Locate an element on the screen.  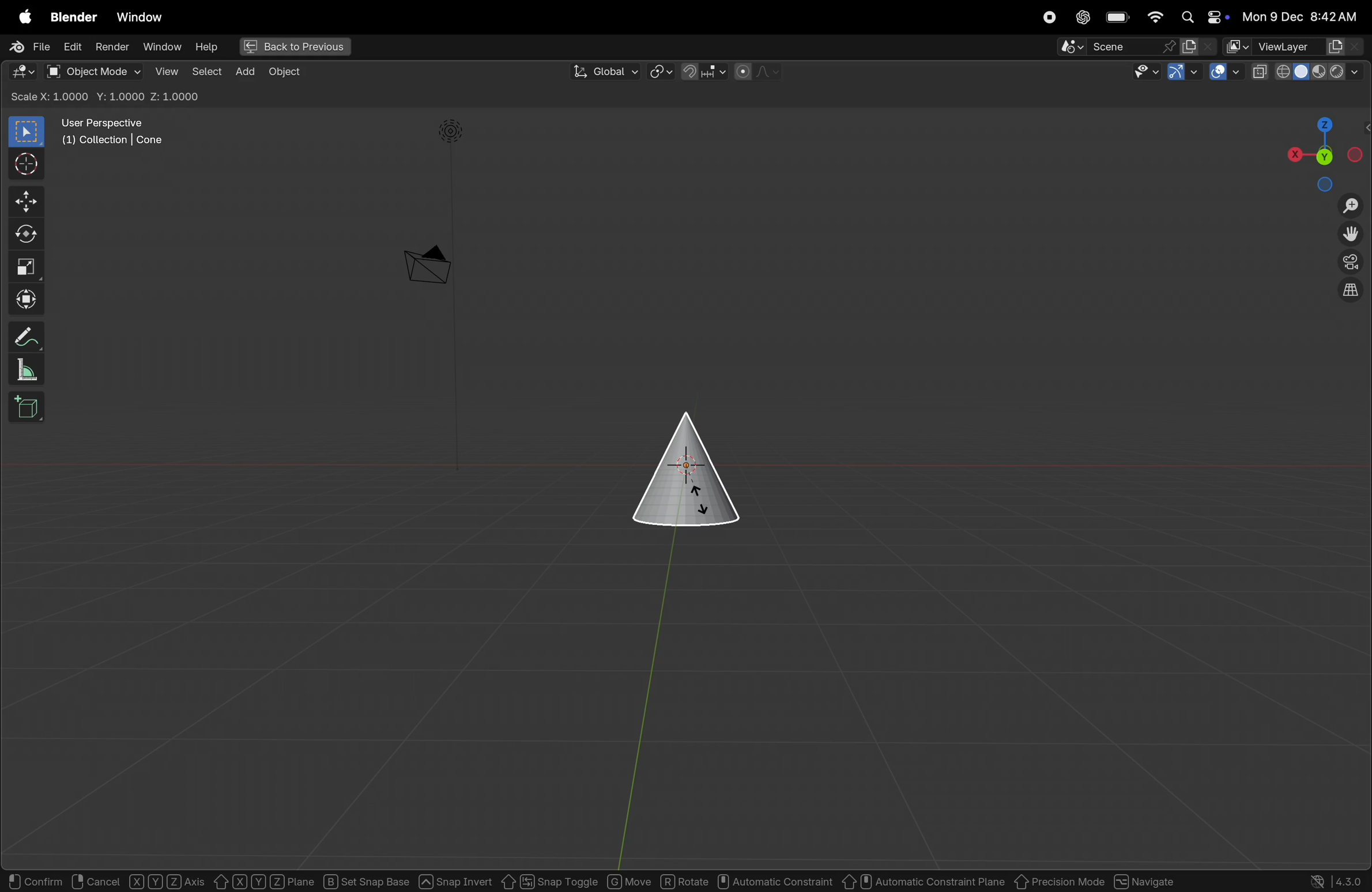
sec snap base is located at coordinates (365, 880).